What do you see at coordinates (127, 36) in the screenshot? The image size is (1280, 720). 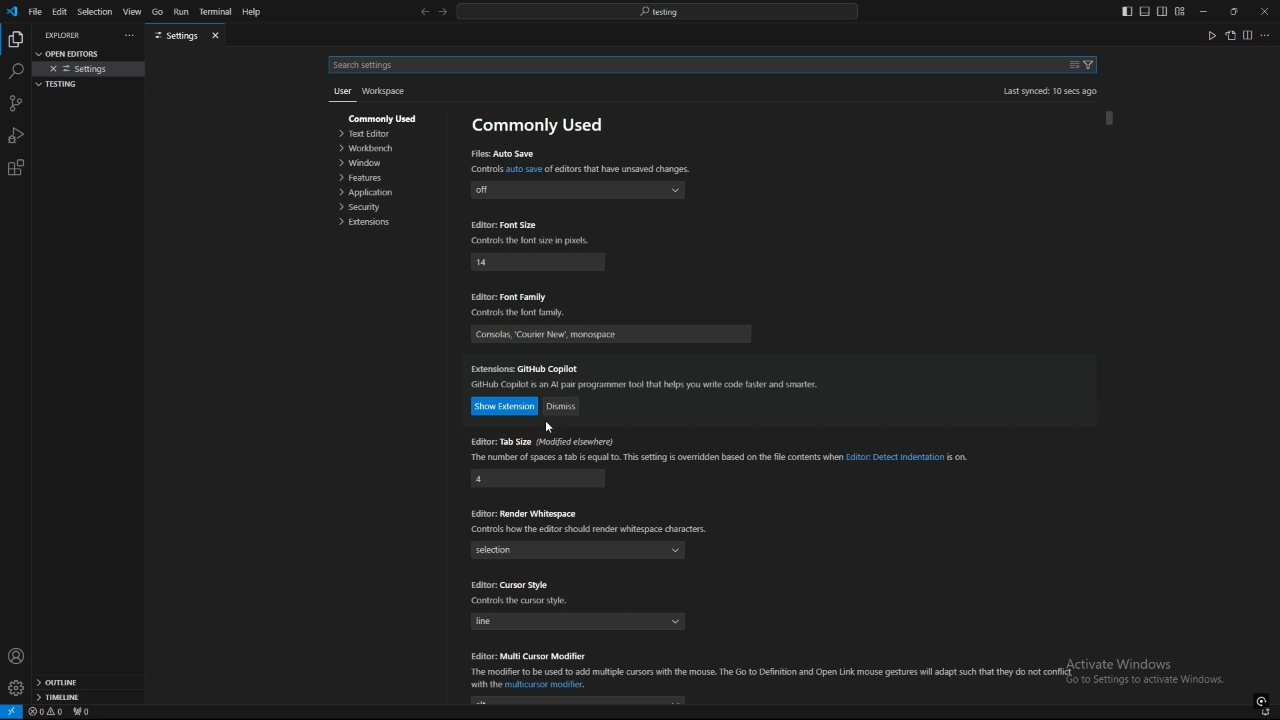 I see `more actions` at bounding box center [127, 36].